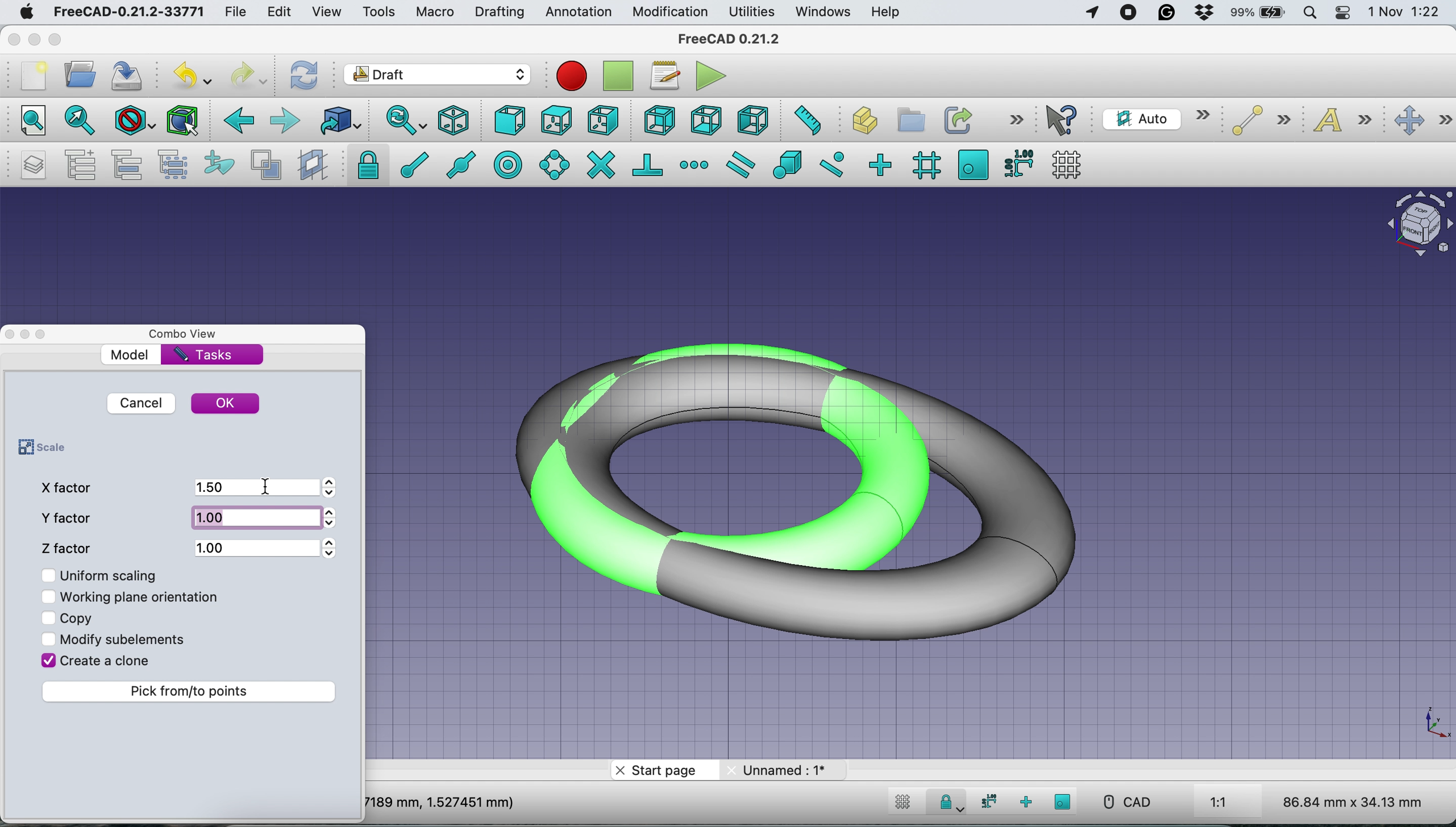 The image size is (1456, 827). I want to click on snap grid, so click(924, 166).